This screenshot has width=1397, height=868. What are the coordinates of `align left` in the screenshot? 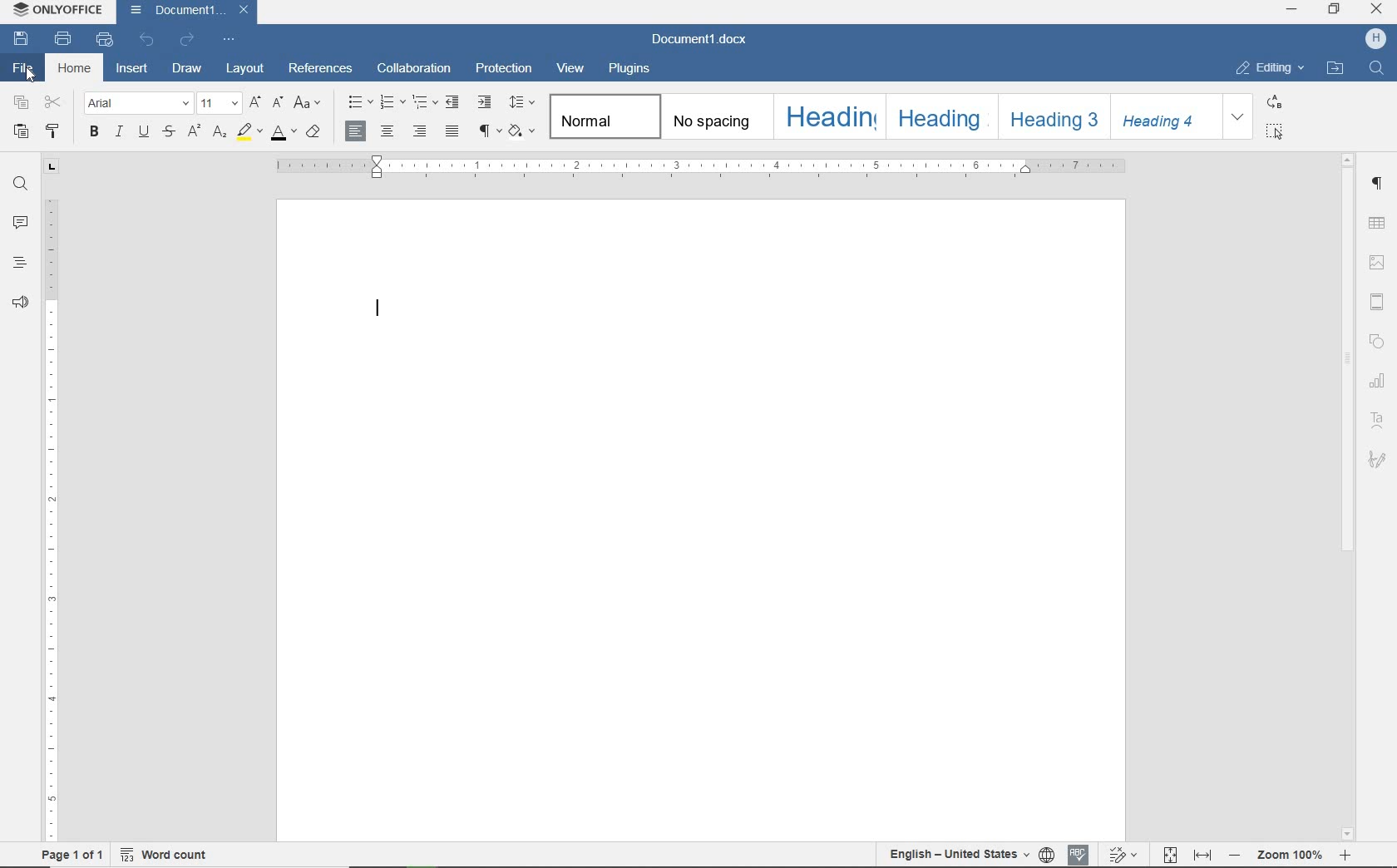 It's located at (356, 131).